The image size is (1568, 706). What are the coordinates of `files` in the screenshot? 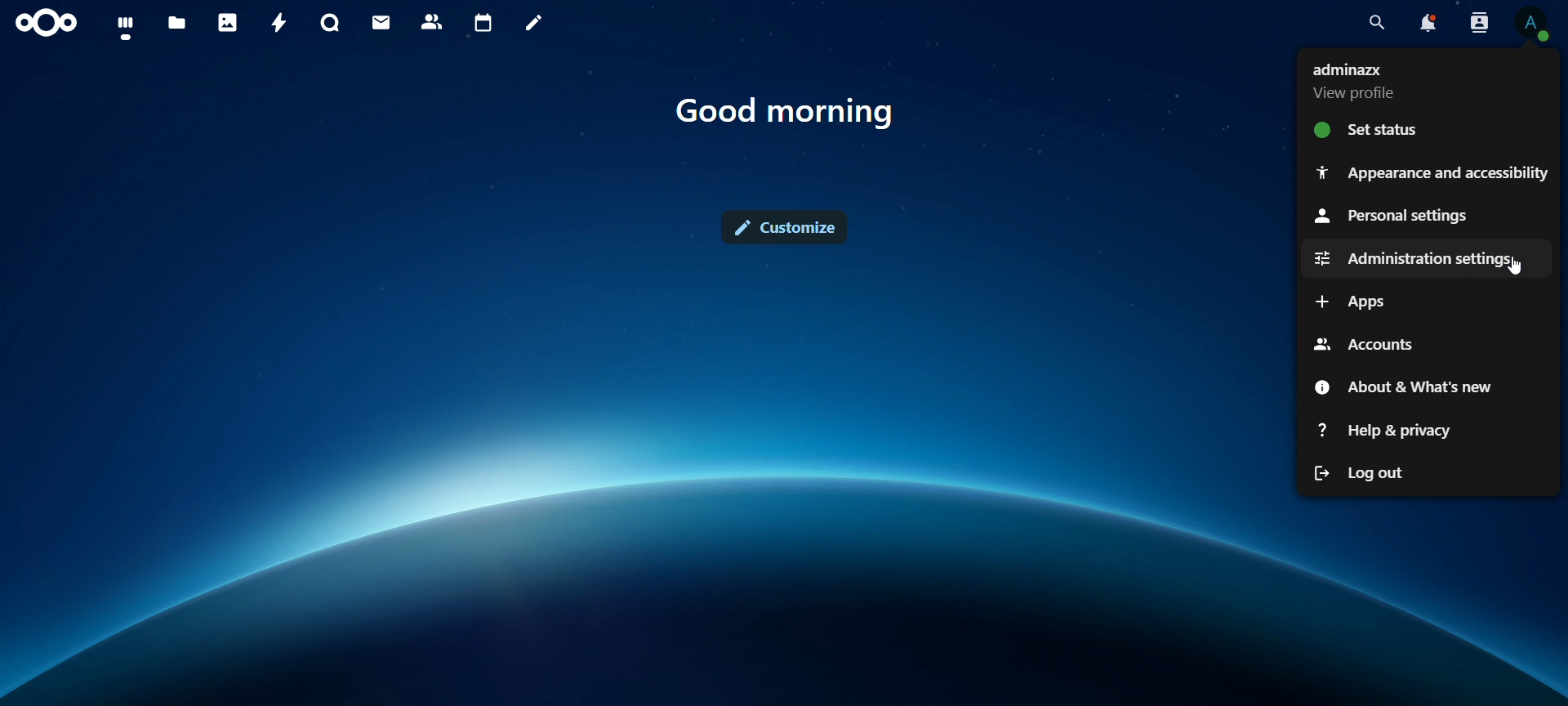 It's located at (178, 23).